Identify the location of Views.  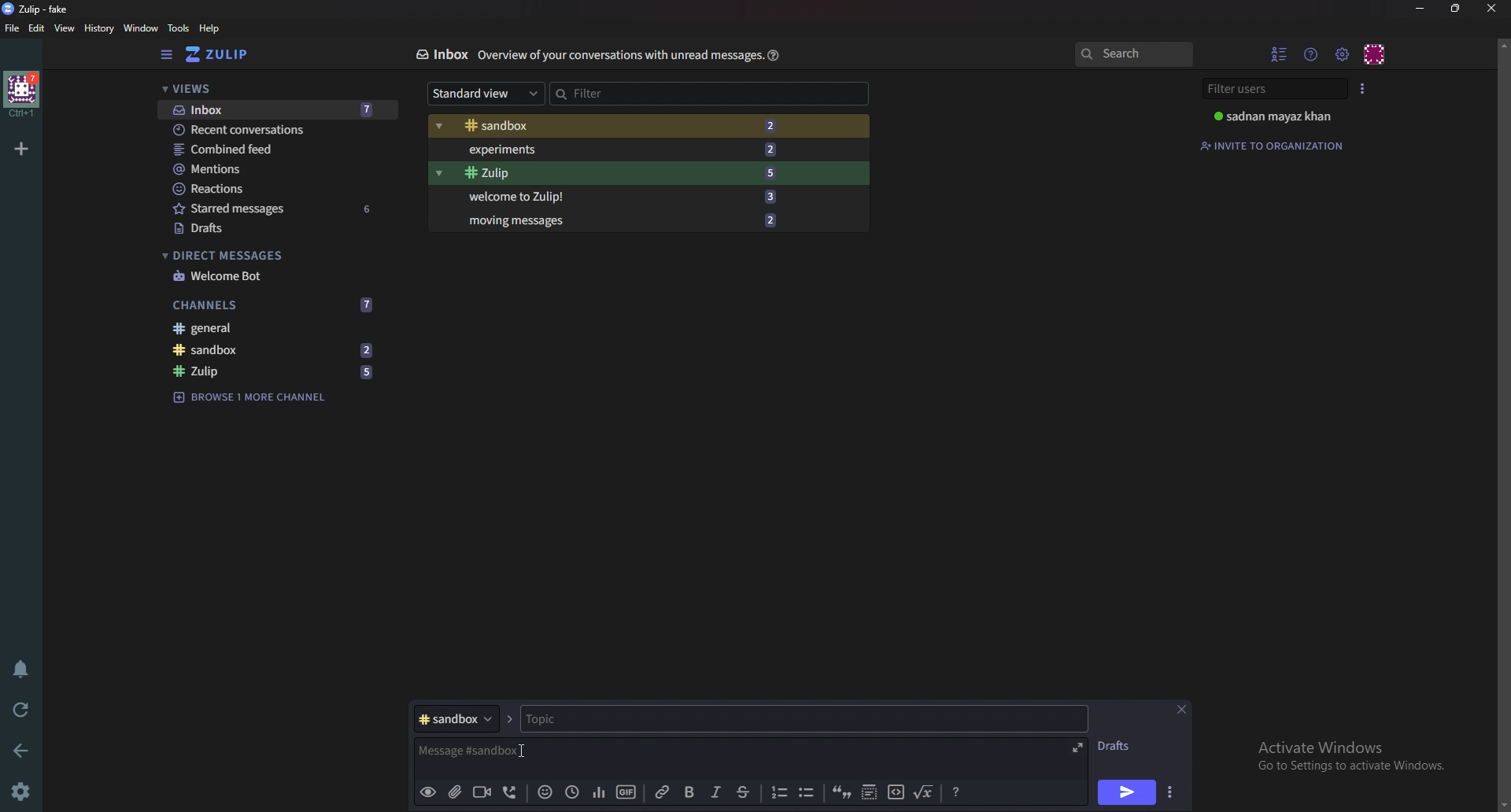
(269, 90).